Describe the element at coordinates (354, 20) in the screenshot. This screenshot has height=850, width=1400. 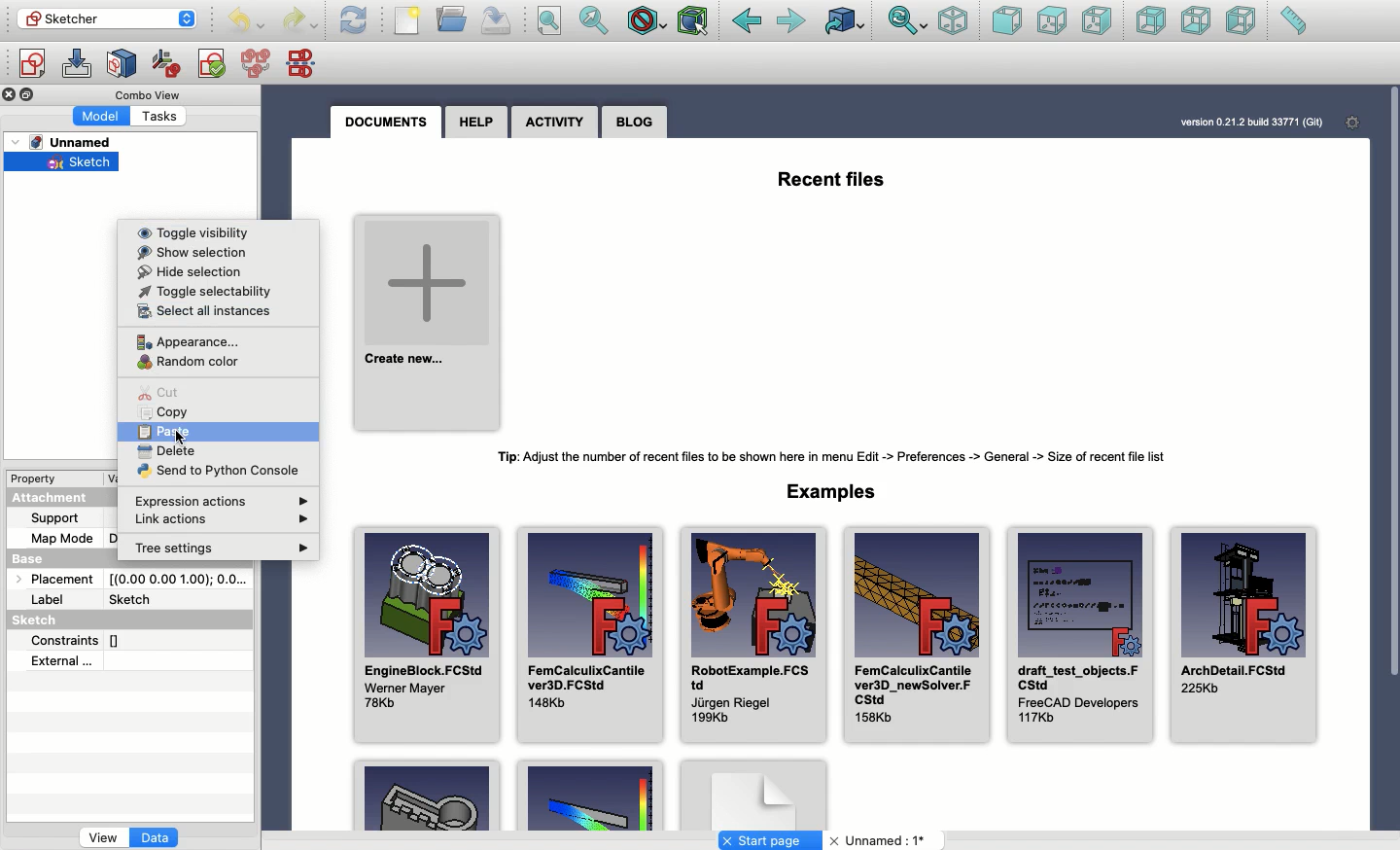
I see `Refresh` at that location.